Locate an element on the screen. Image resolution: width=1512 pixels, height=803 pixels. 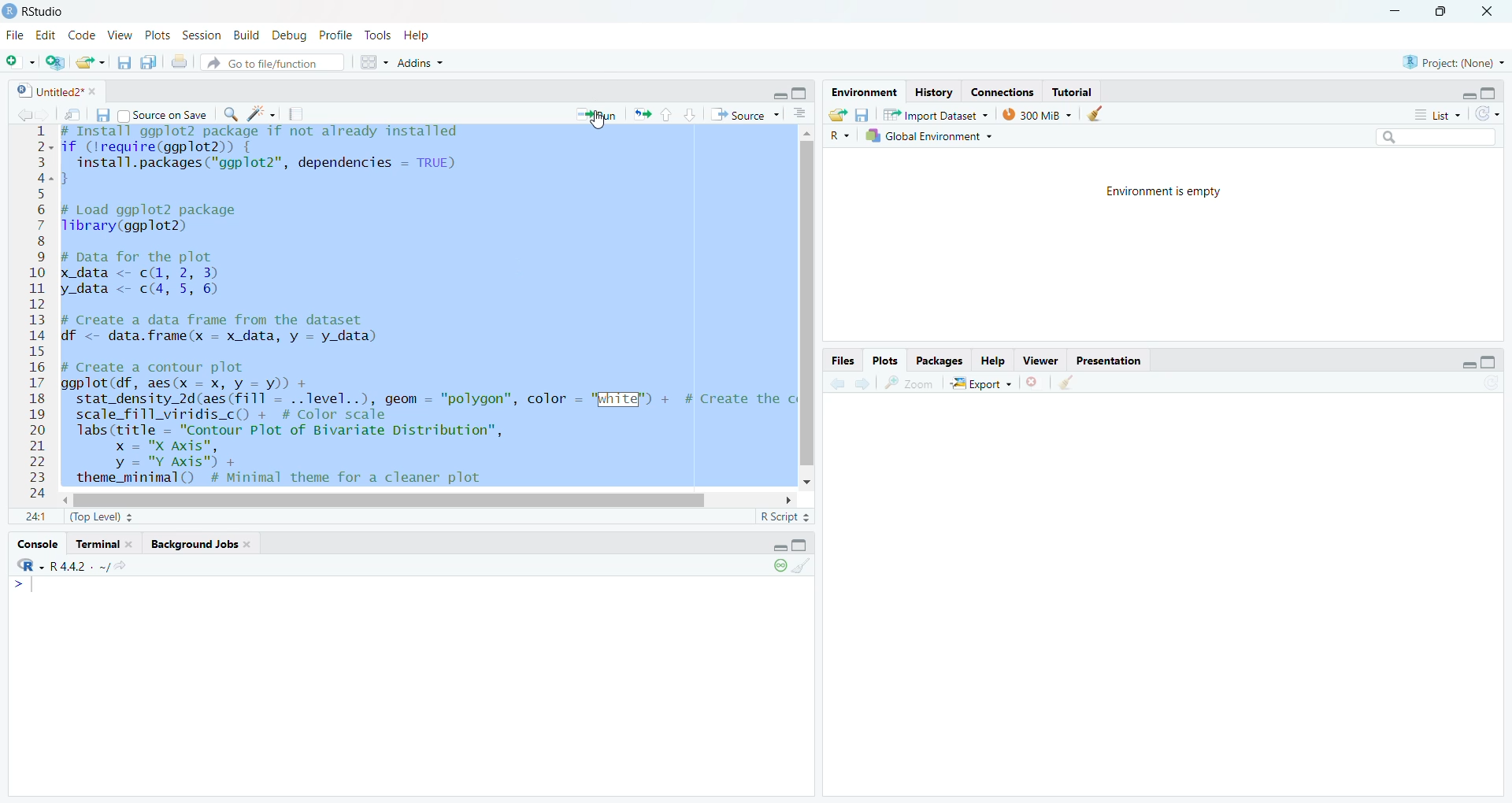
clear all plots is located at coordinates (1069, 383).